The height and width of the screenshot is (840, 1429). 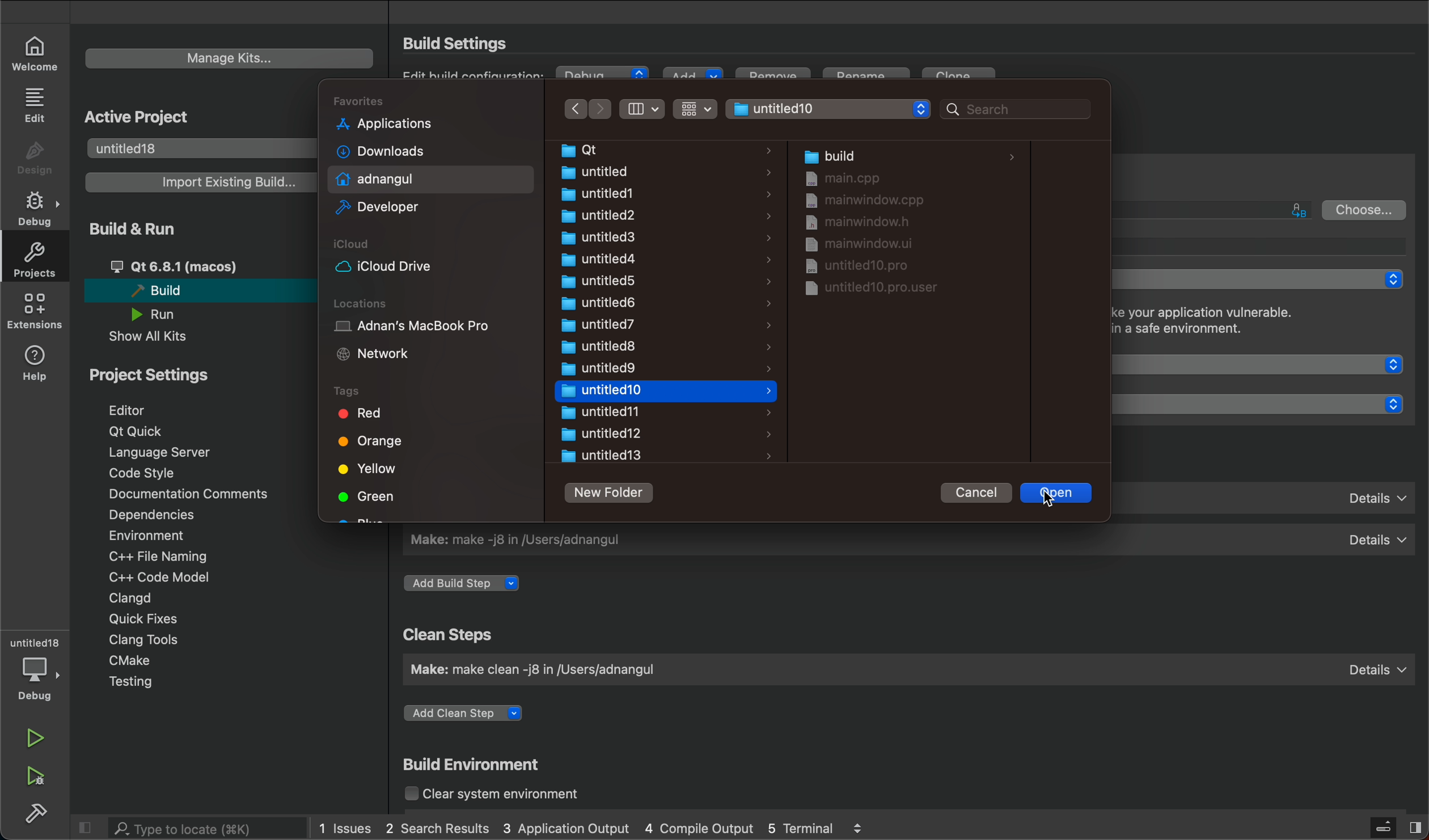 What do you see at coordinates (37, 814) in the screenshot?
I see `build` at bounding box center [37, 814].